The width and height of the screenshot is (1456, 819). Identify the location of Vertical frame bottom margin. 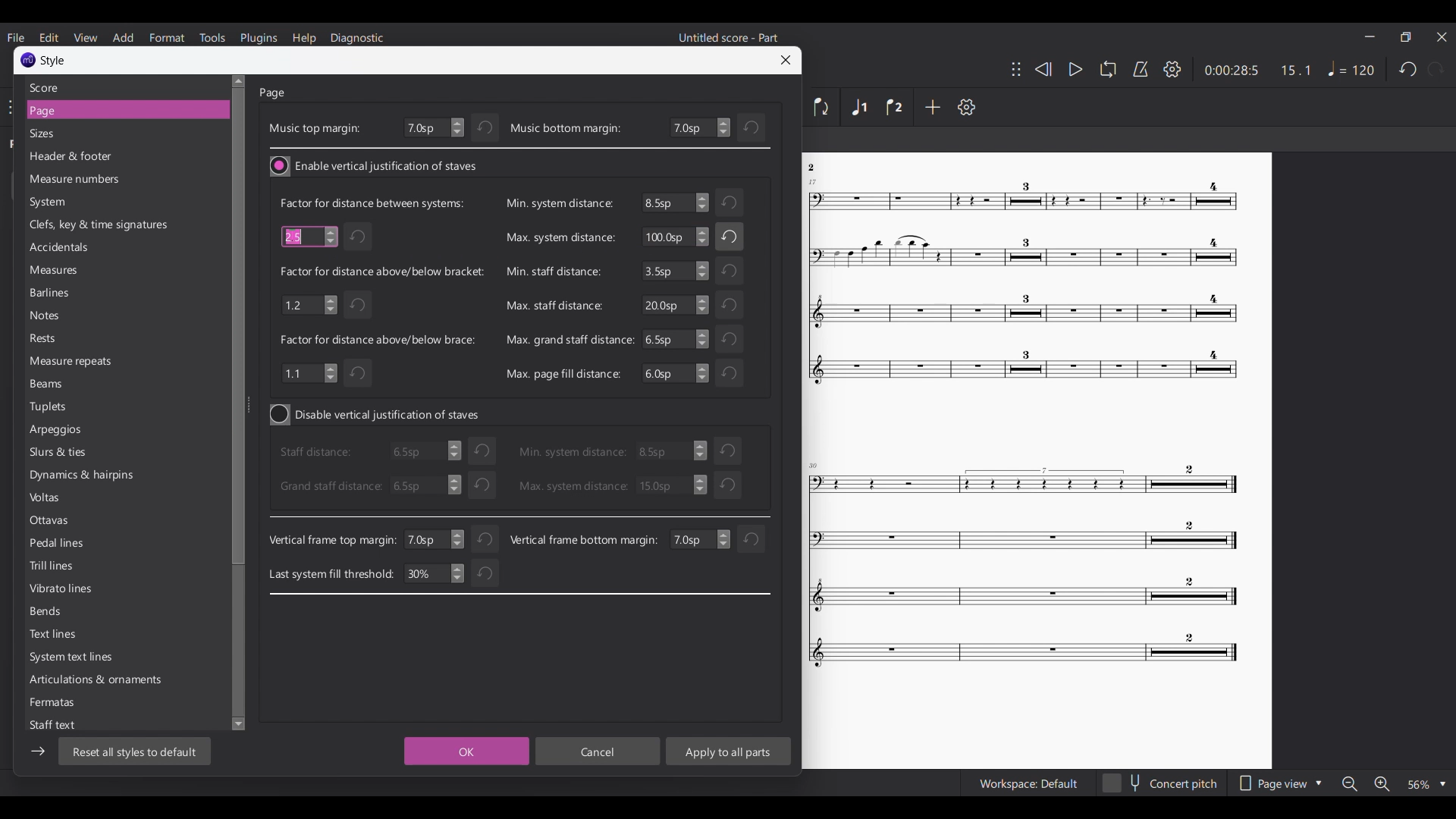
(584, 539).